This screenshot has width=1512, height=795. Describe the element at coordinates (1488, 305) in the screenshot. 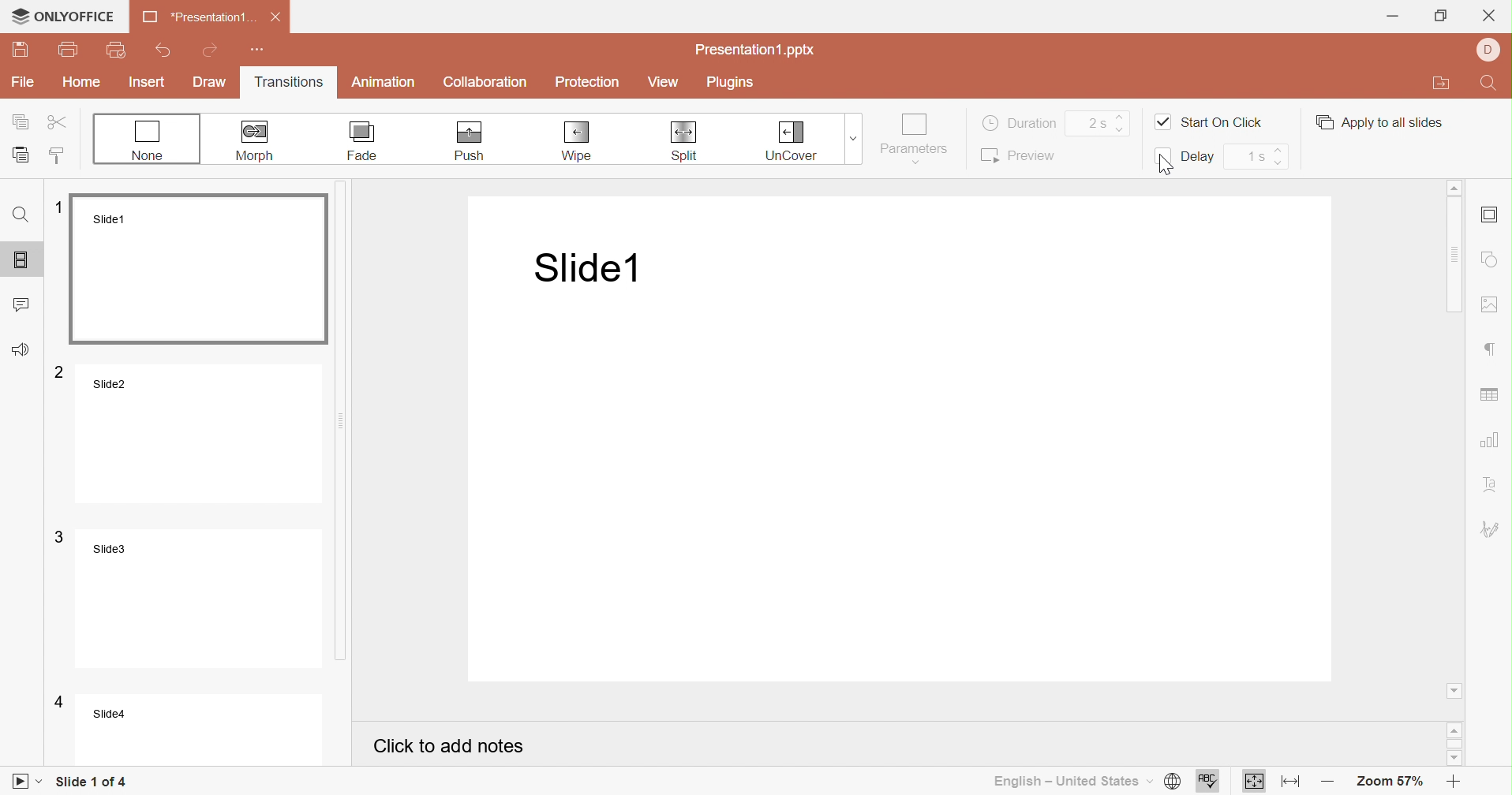

I see `Insert image` at that location.